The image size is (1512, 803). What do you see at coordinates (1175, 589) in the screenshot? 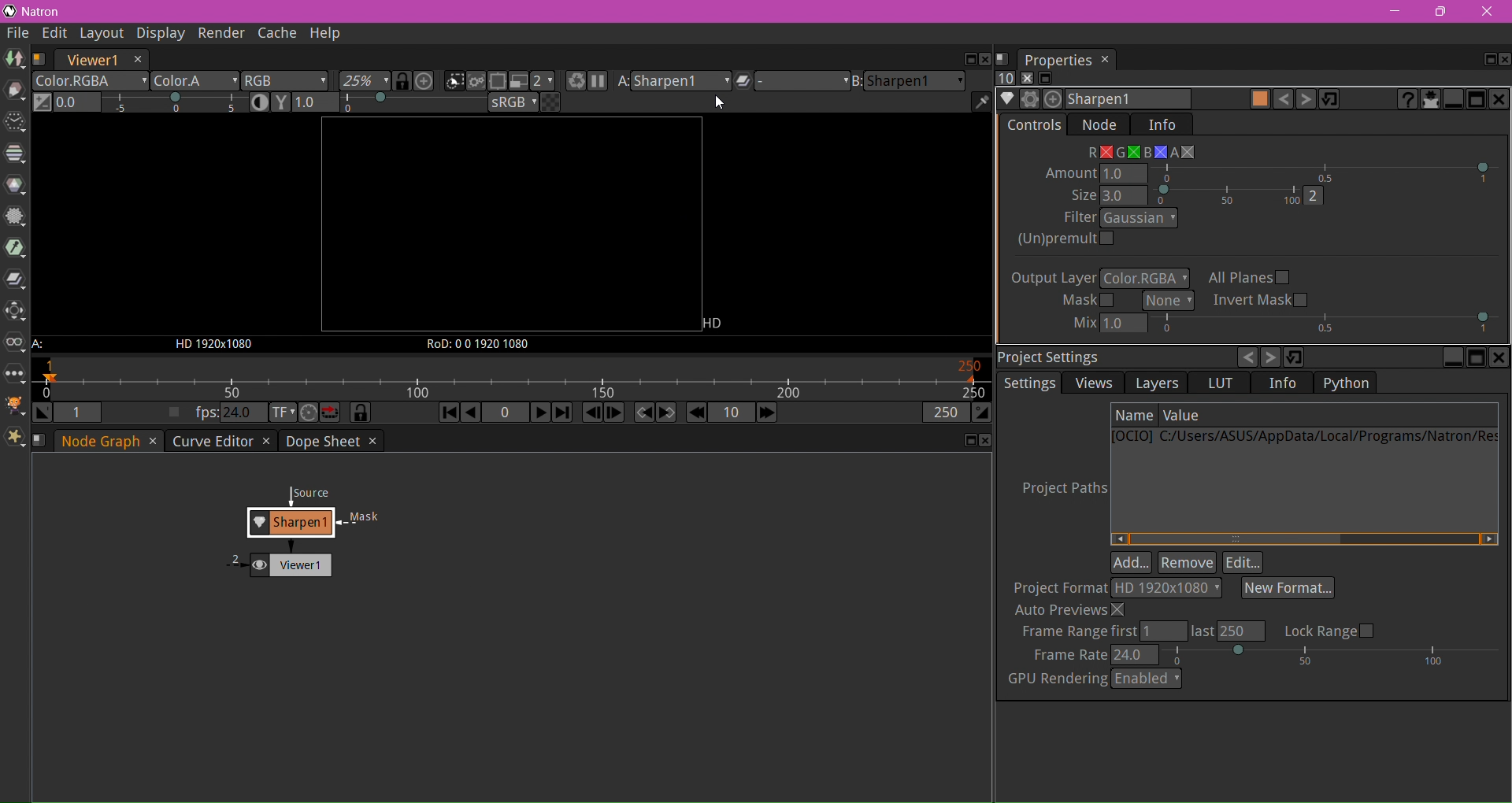
I see `Project Format HD 1920x1080 * New Format` at bounding box center [1175, 589].